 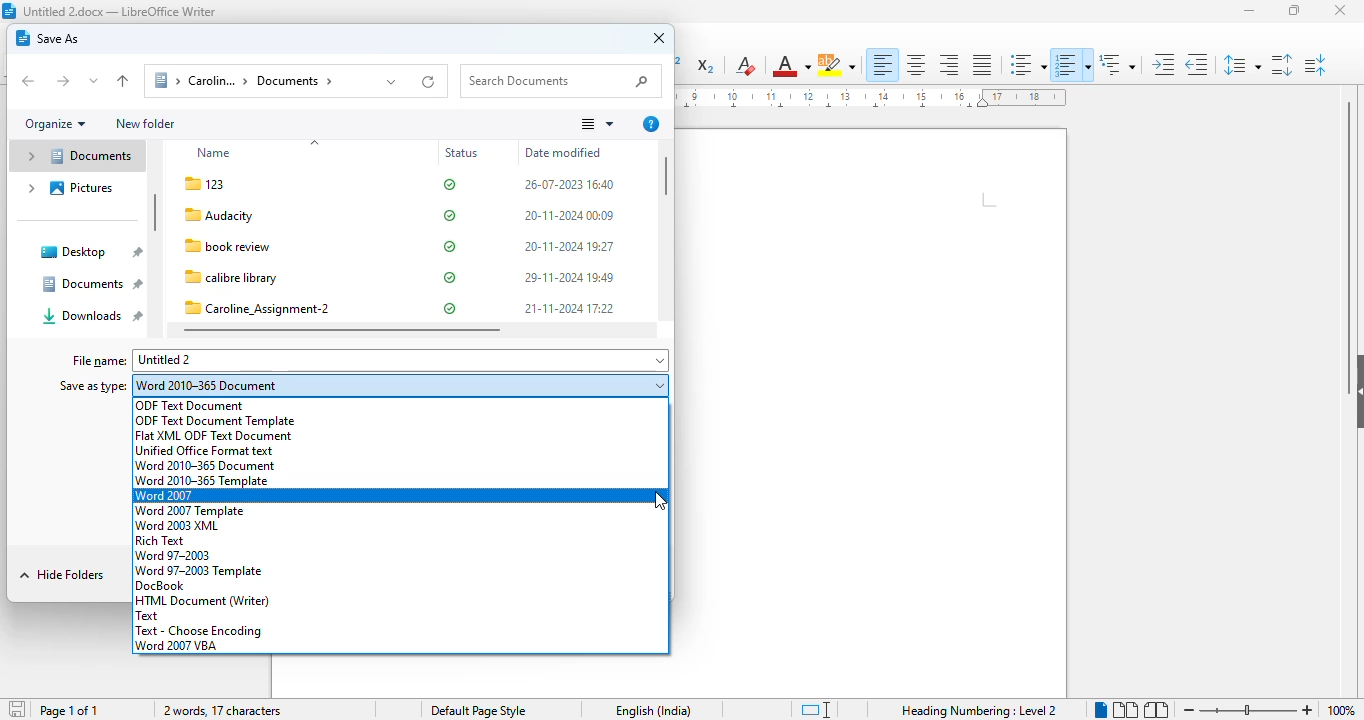 I want to click on word 97-2003 template, so click(x=201, y=572).